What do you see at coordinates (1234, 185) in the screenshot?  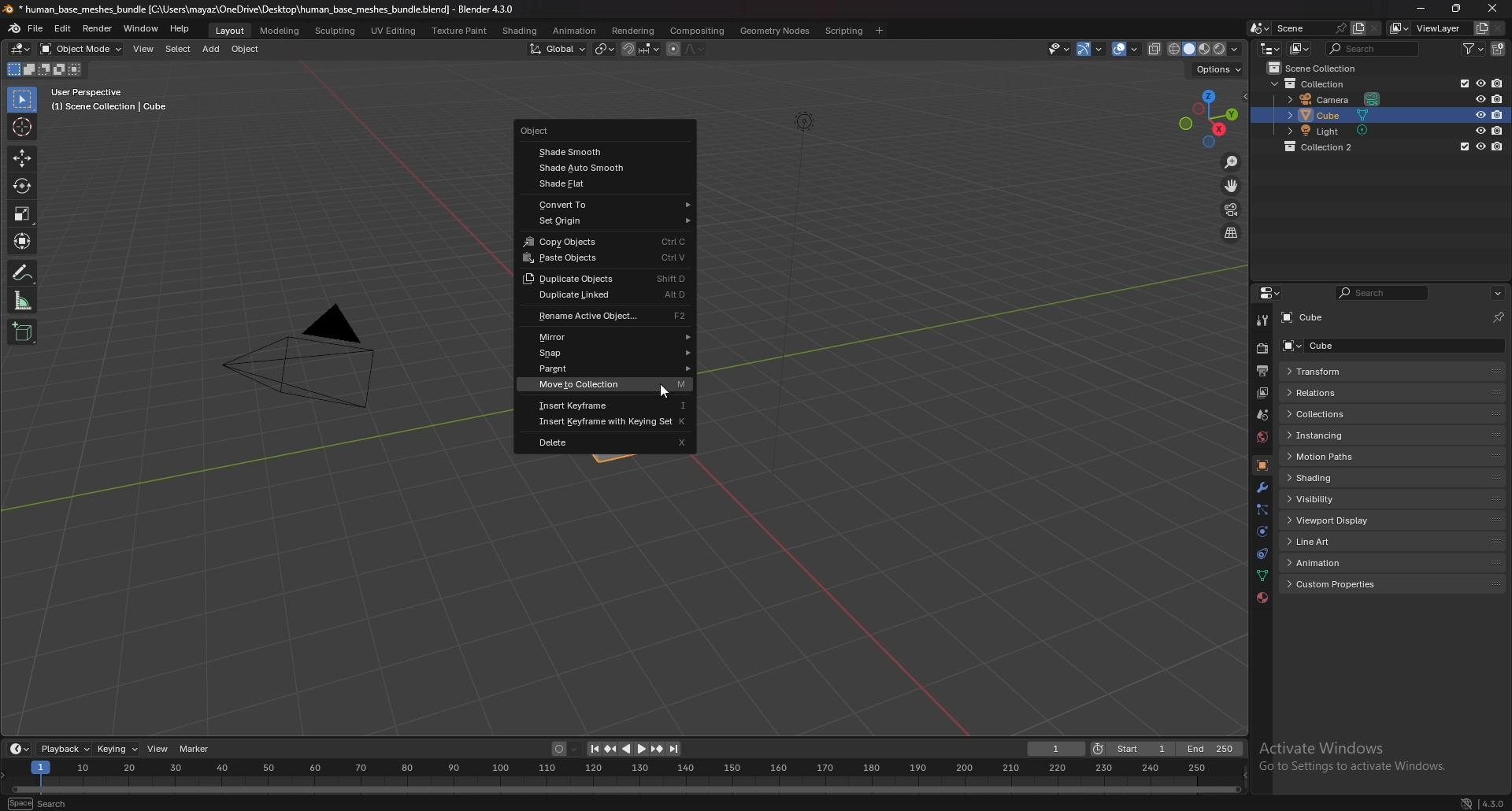 I see `move` at bounding box center [1234, 185].